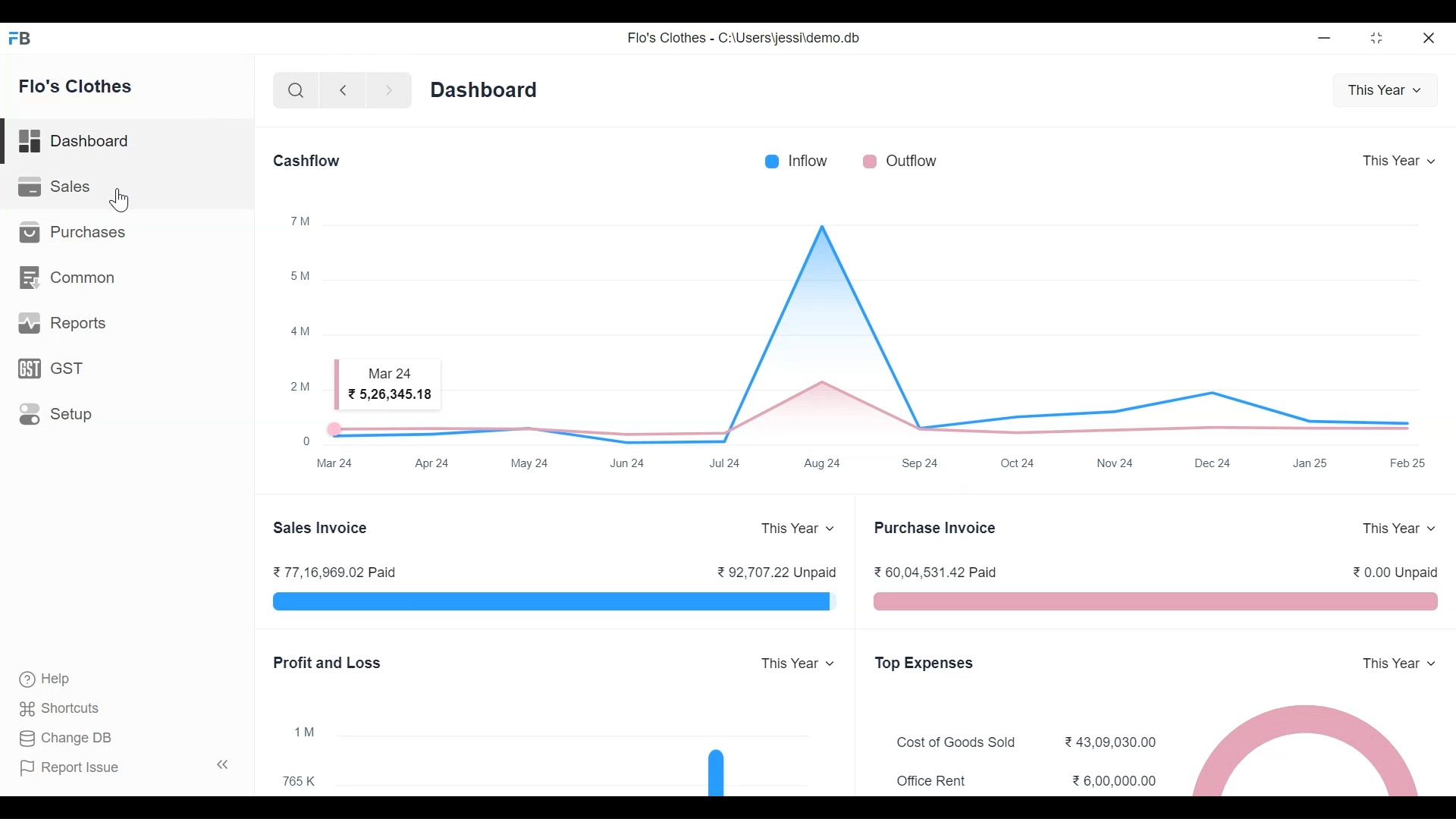  I want to click on 0, so click(305, 440).